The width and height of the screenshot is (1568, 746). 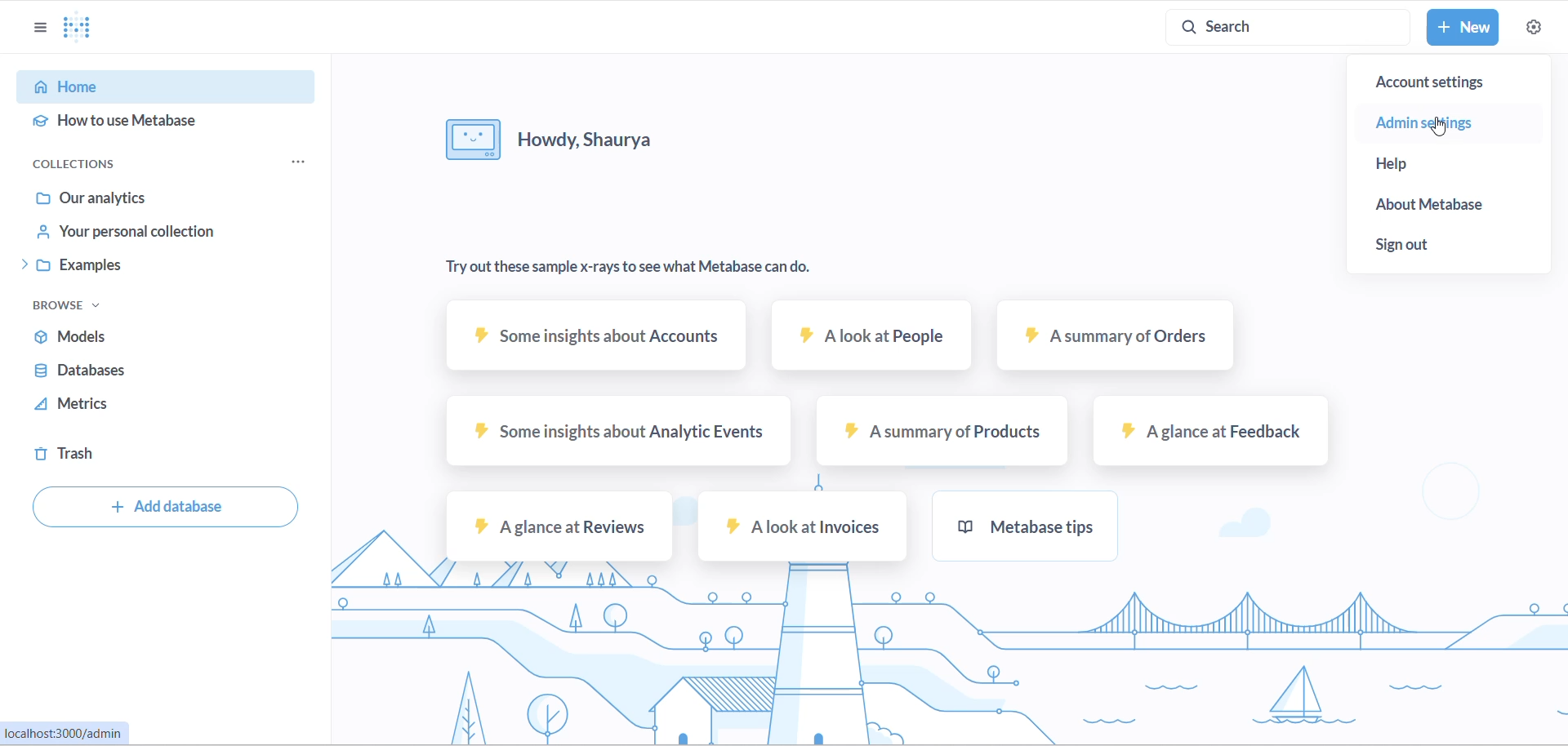 I want to click on OPTIONS, so click(x=303, y=165).